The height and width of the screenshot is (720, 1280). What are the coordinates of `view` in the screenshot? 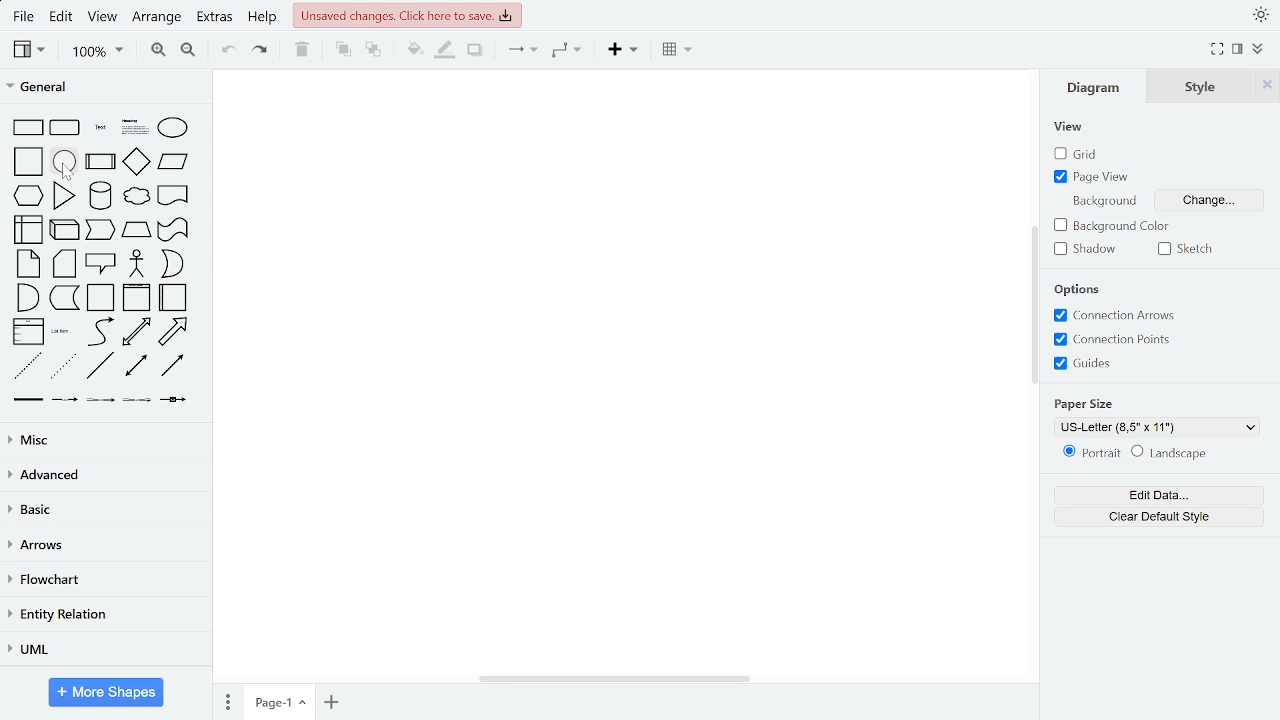 It's located at (103, 19).